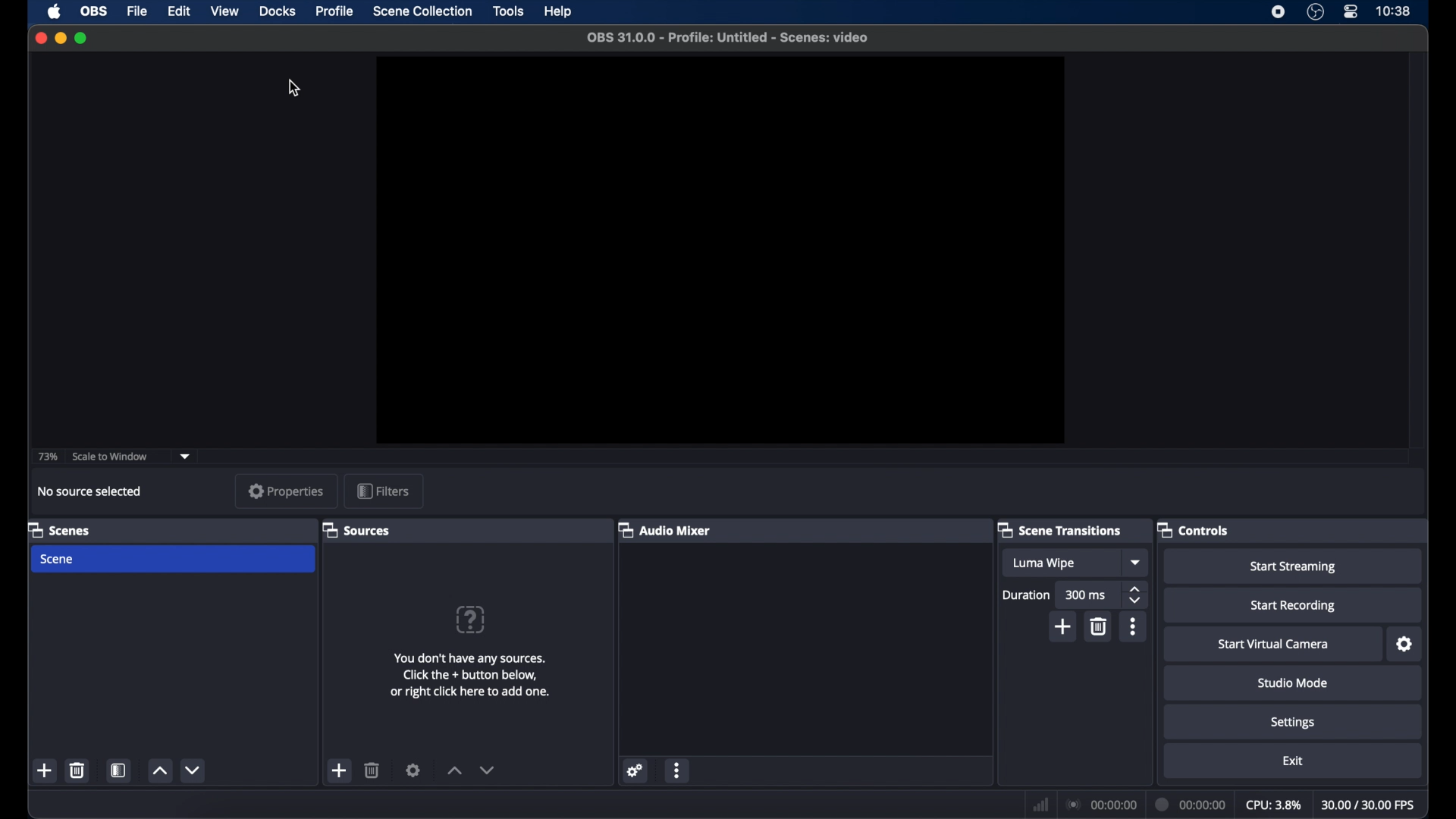  I want to click on studio mode, so click(1293, 682).